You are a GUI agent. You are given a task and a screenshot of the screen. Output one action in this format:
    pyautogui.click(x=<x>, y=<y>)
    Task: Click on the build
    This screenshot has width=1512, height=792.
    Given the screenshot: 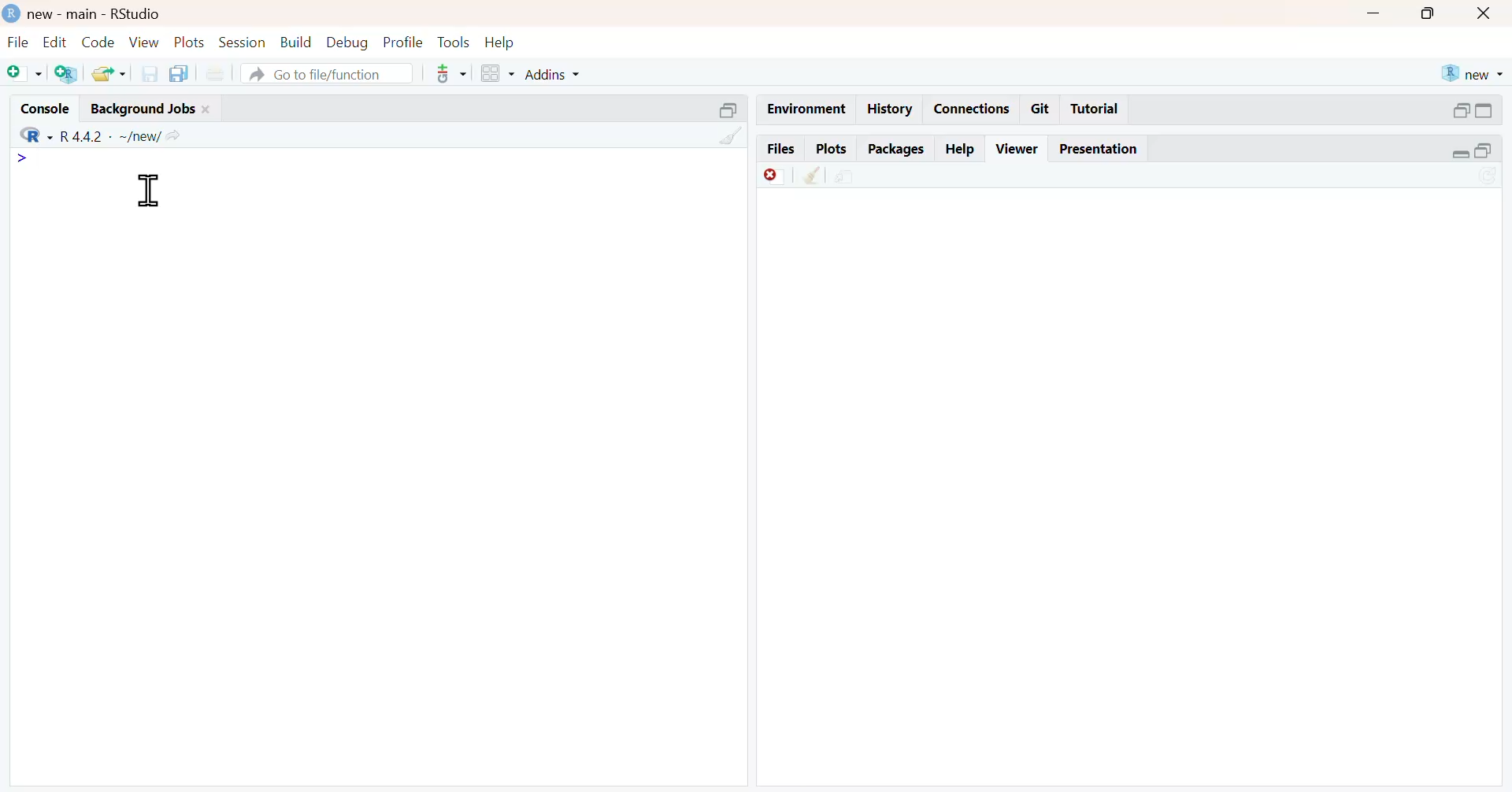 What is the action you would take?
    pyautogui.click(x=297, y=42)
    